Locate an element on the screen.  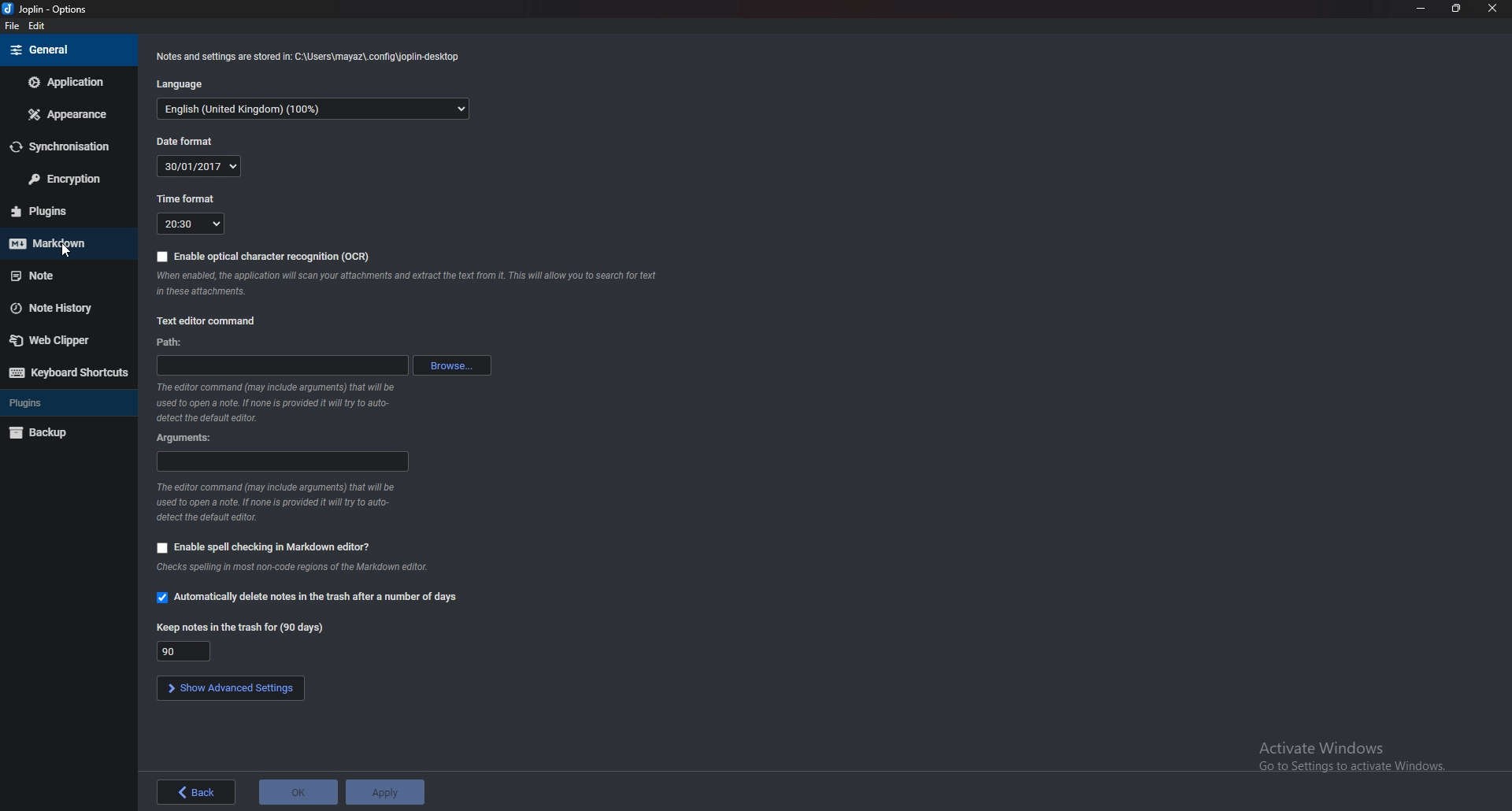
resize is located at coordinates (1455, 8).